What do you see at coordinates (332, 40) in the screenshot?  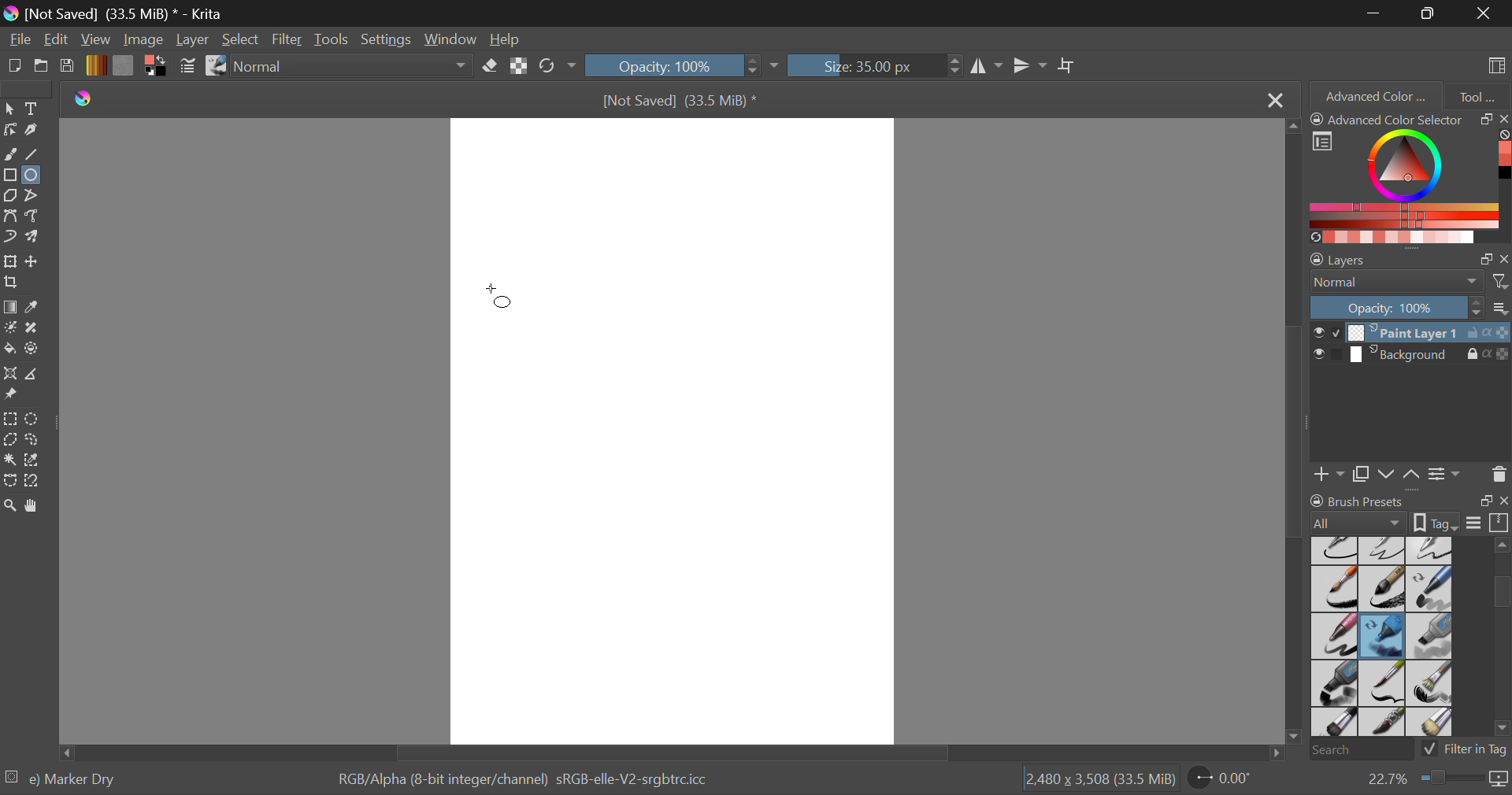 I see `Tools` at bounding box center [332, 40].